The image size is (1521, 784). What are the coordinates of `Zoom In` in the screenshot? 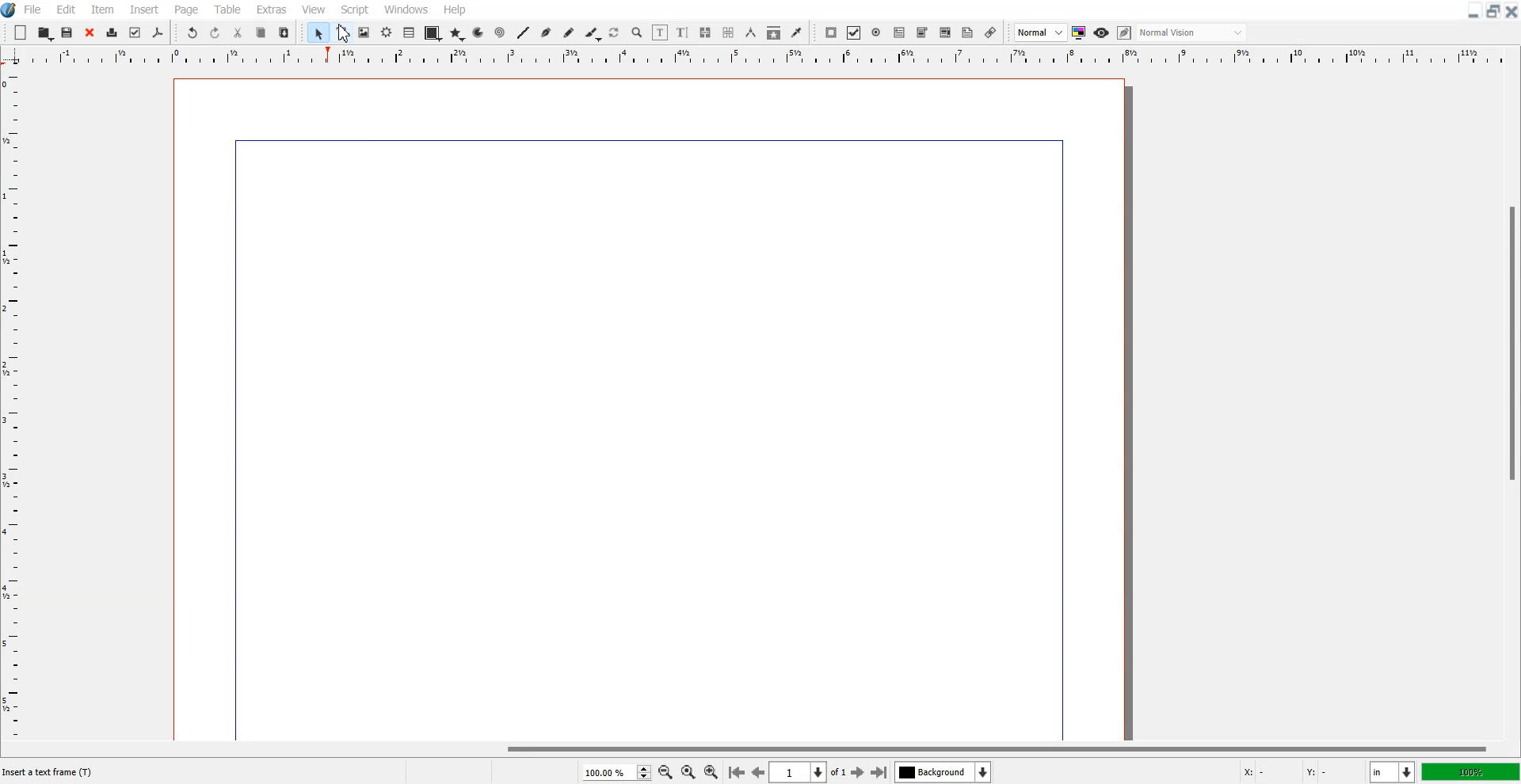 It's located at (711, 771).